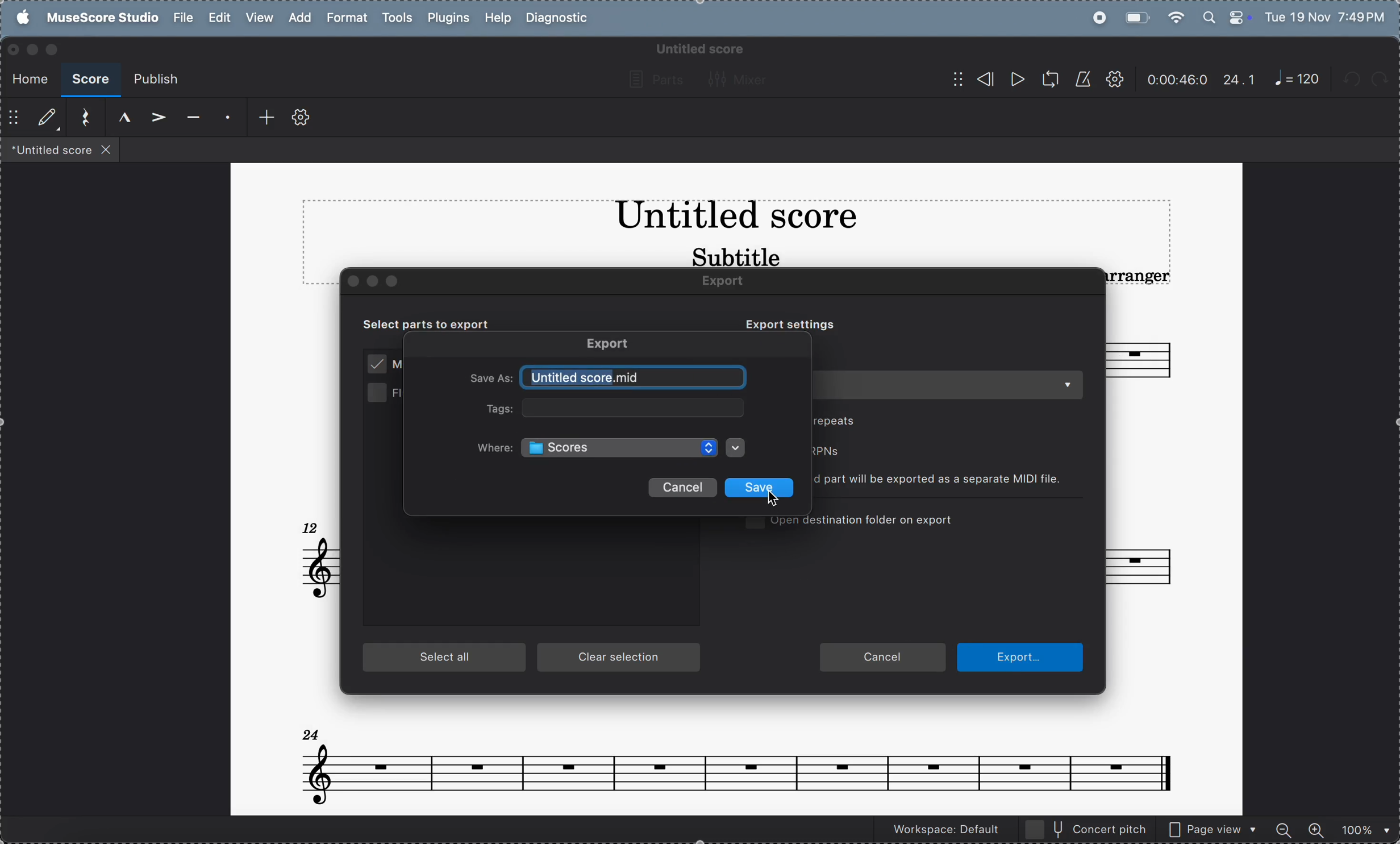 The image size is (1400, 844). What do you see at coordinates (90, 80) in the screenshot?
I see `score` at bounding box center [90, 80].